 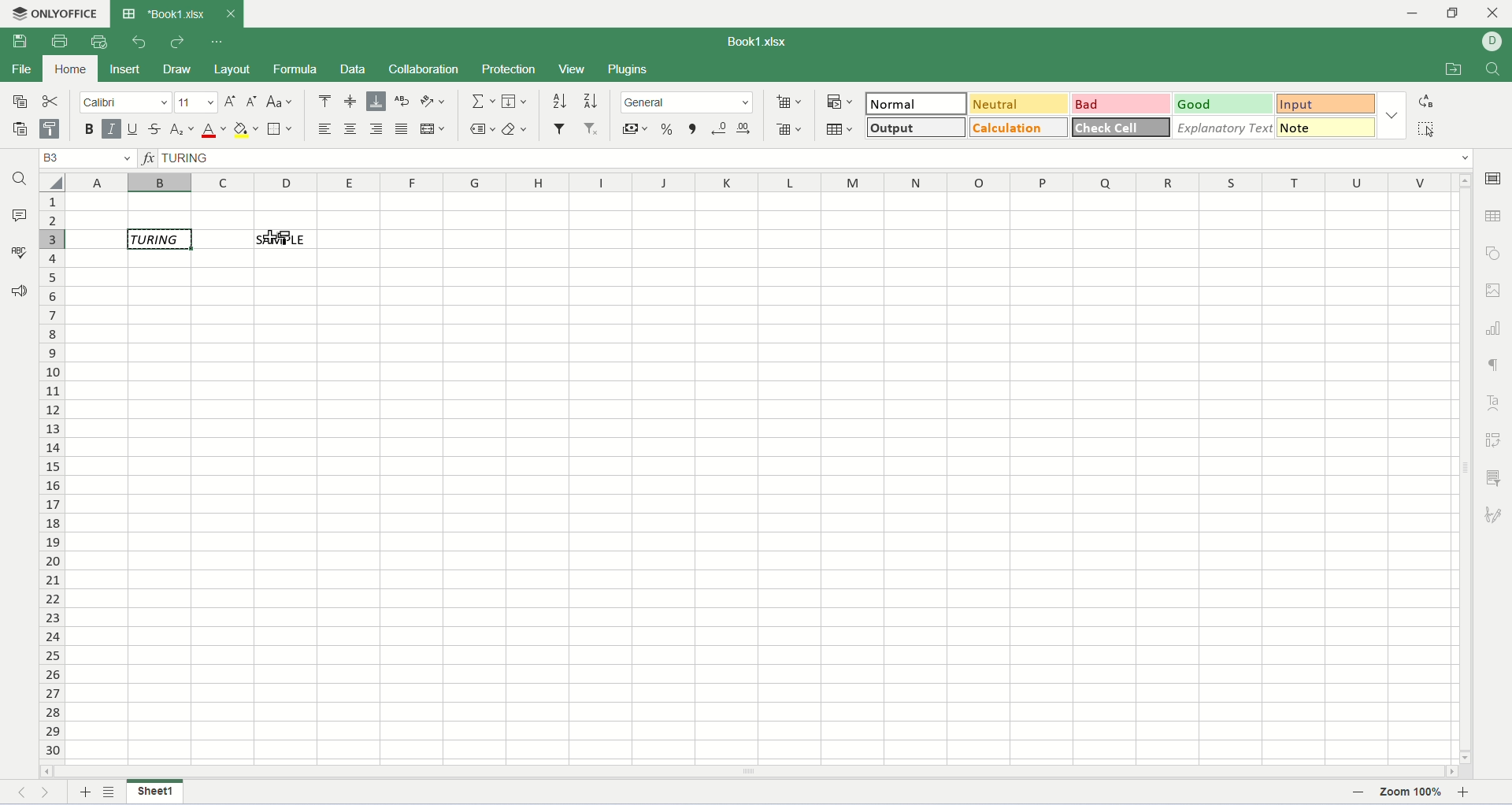 I want to click on cursor, so click(x=265, y=241).